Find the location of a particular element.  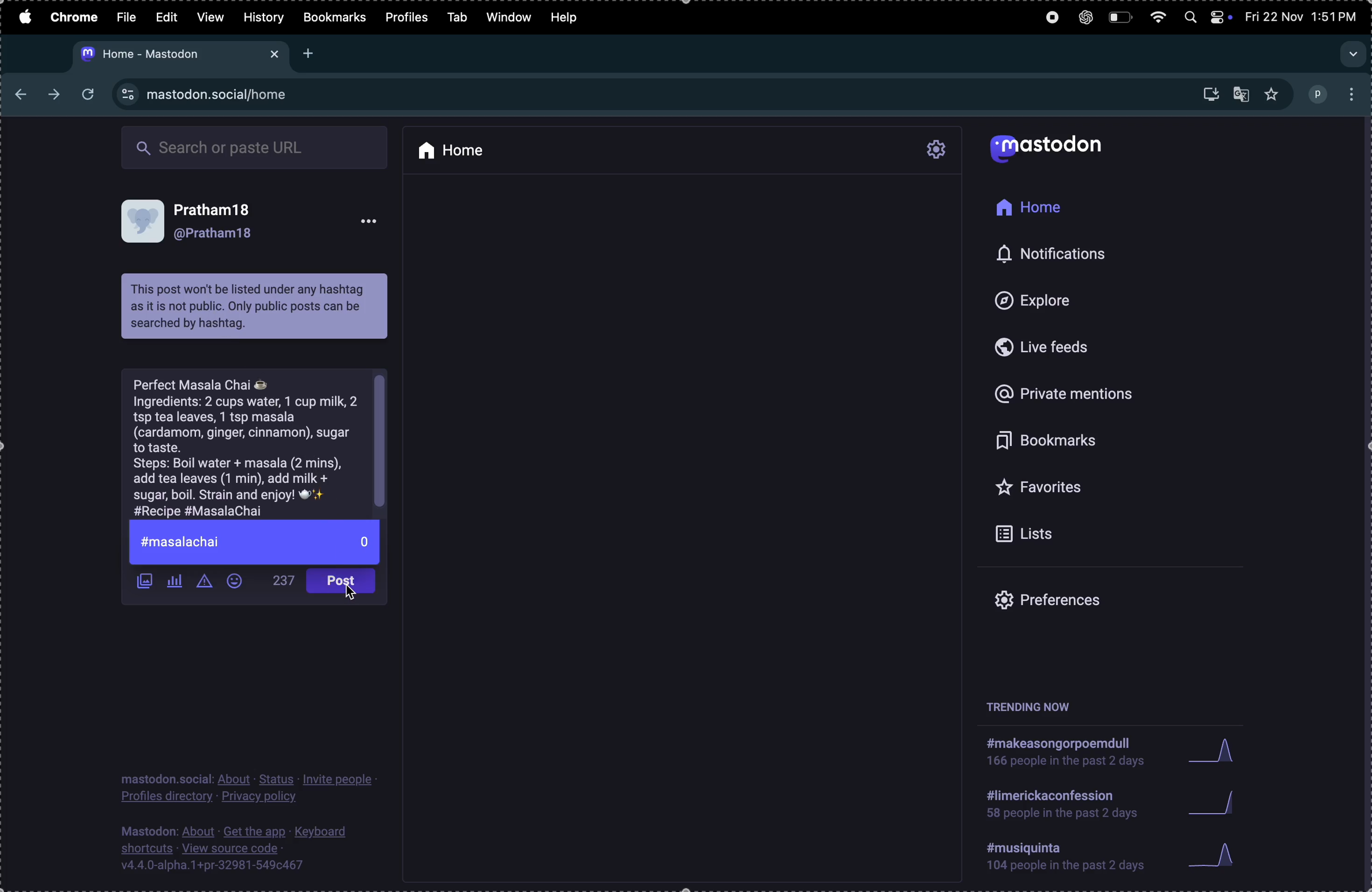

record is located at coordinates (1049, 18).